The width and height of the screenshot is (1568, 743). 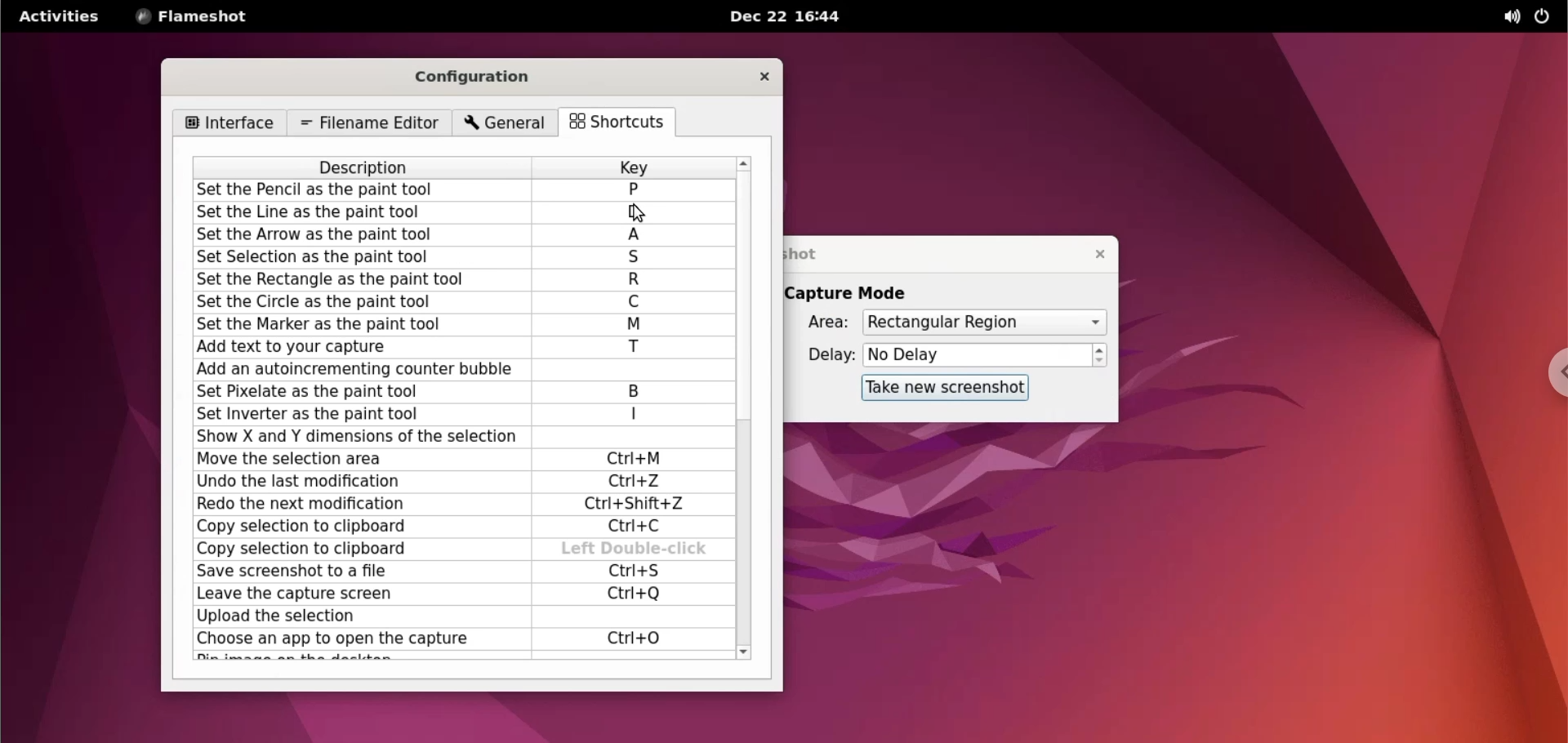 What do you see at coordinates (625, 617) in the screenshot?
I see `enter shortcut textbox` at bounding box center [625, 617].